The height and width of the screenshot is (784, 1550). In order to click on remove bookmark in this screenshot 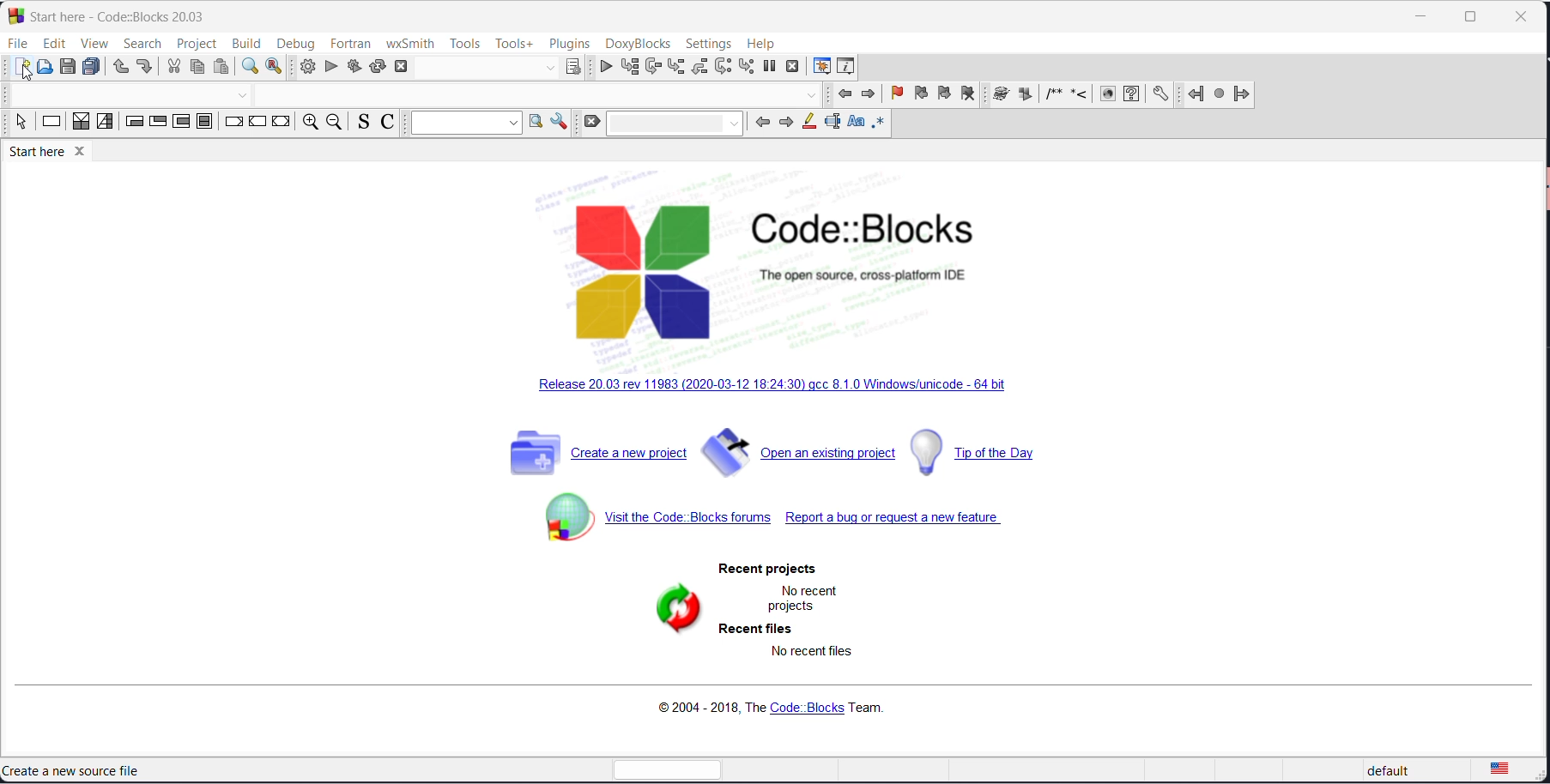, I will do `click(972, 98)`.